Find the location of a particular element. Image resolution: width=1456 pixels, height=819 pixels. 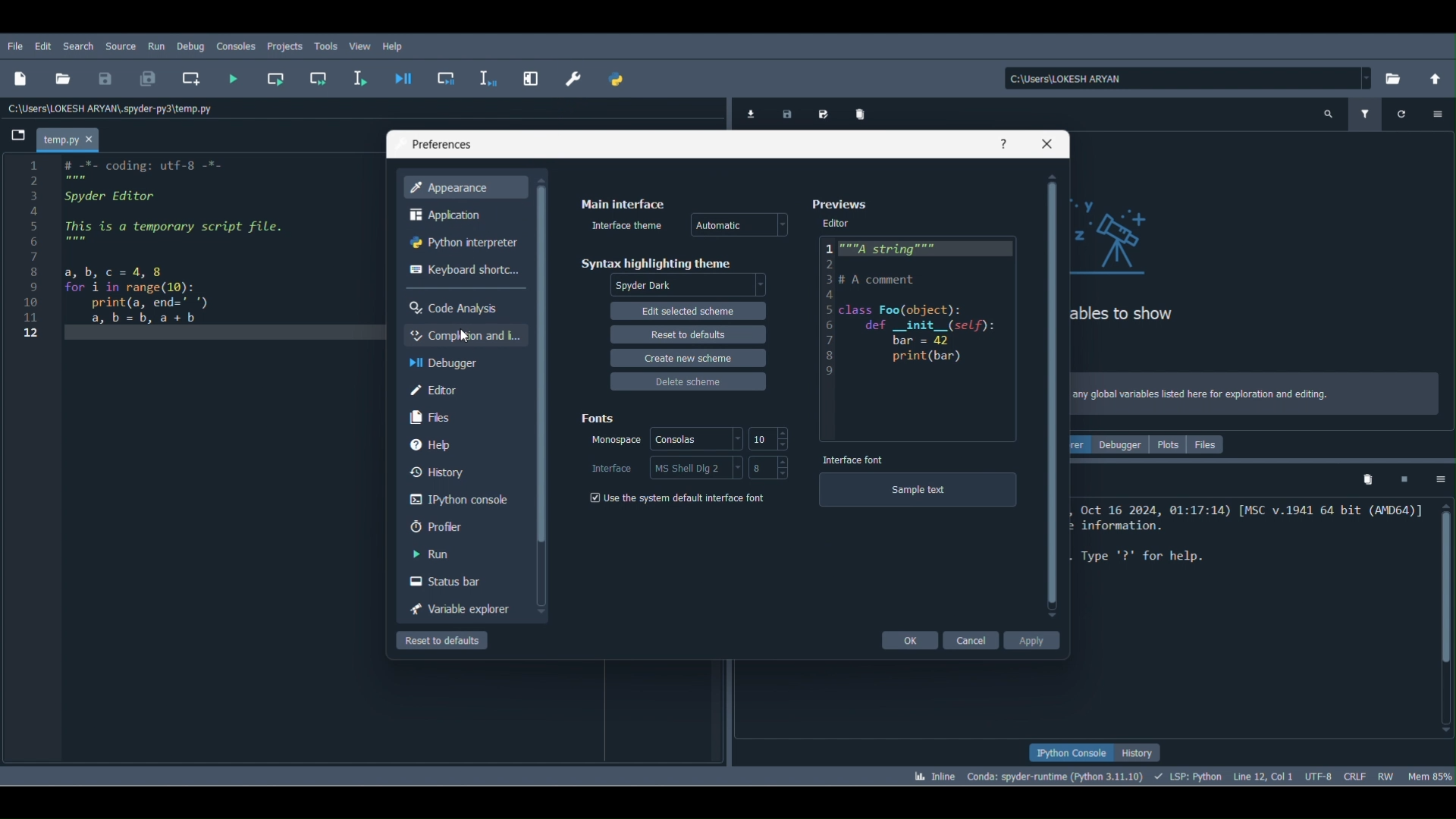

Filter variables is located at coordinates (1368, 111).